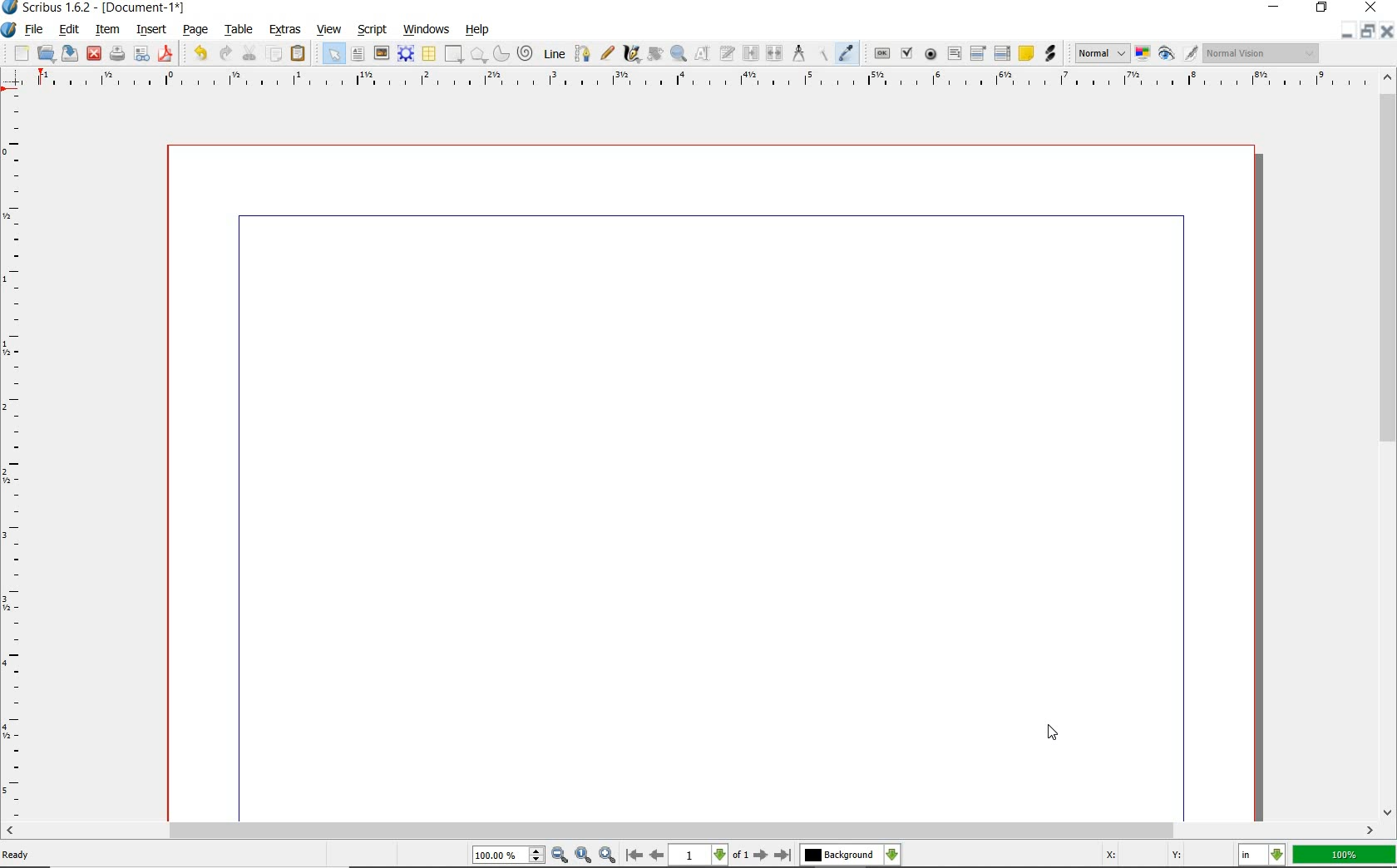  What do you see at coordinates (699, 84) in the screenshot?
I see `ruler` at bounding box center [699, 84].